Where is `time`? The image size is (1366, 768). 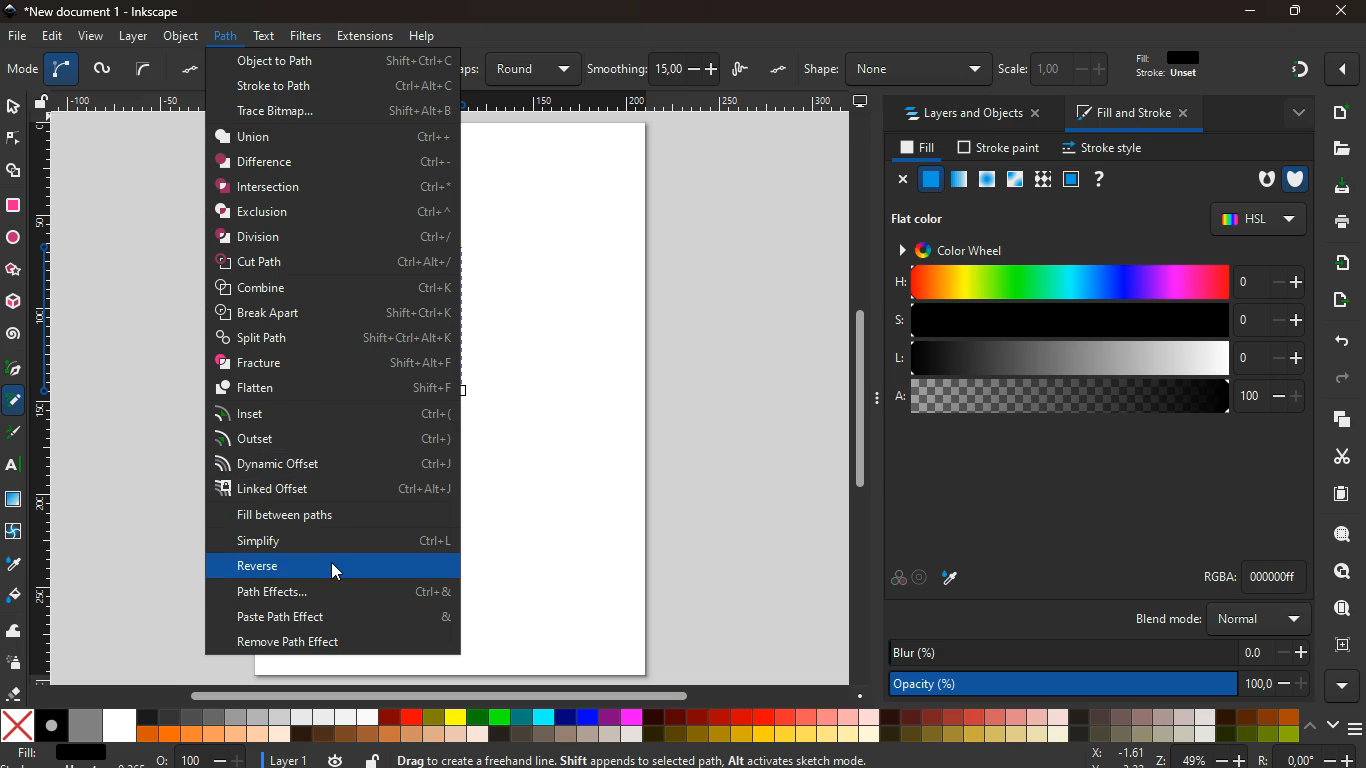 time is located at coordinates (335, 759).